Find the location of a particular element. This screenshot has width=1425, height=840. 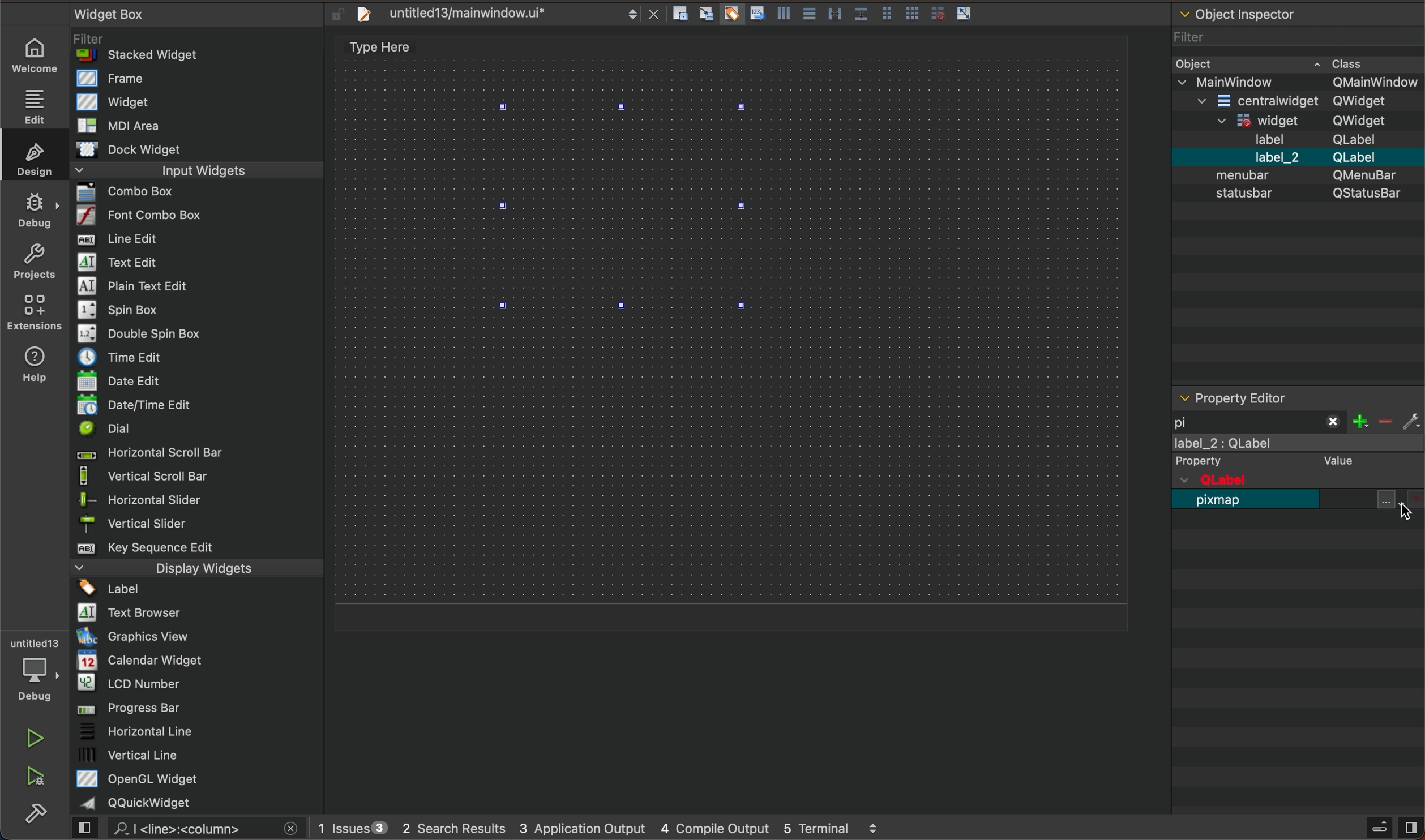

ran and debug is located at coordinates (43, 778).